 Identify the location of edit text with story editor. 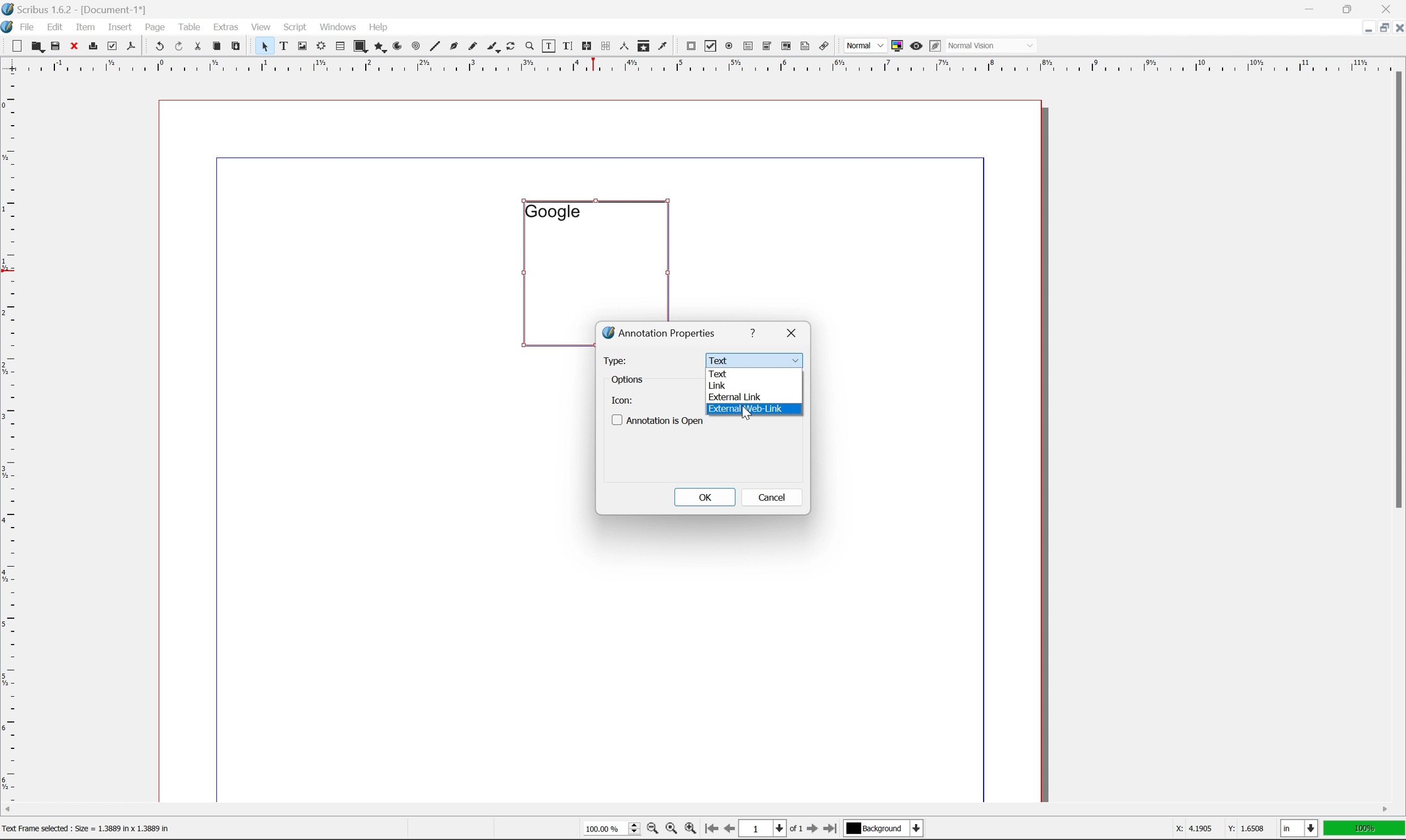
(565, 45).